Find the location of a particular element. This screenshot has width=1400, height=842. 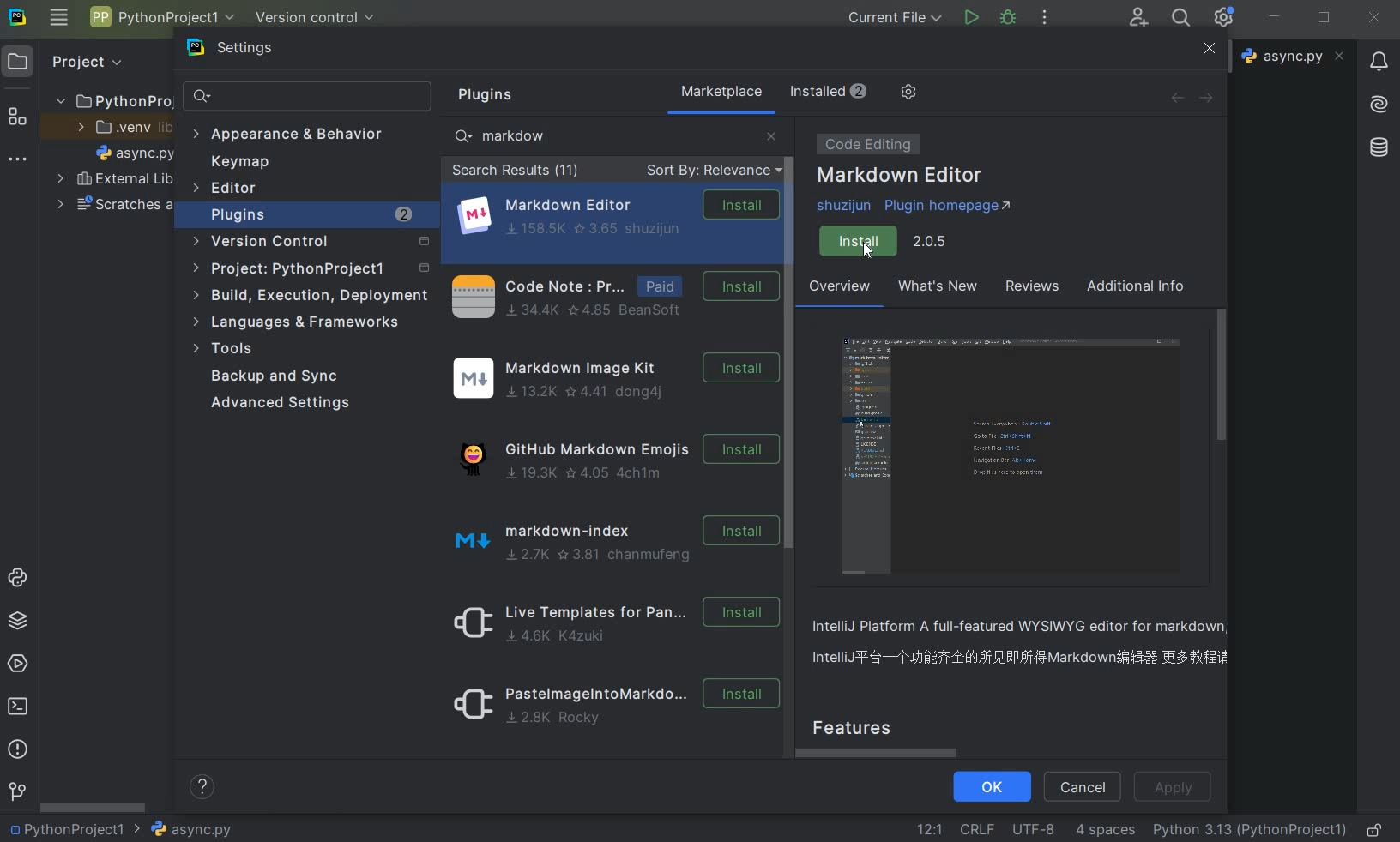

file name is located at coordinates (1293, 57).